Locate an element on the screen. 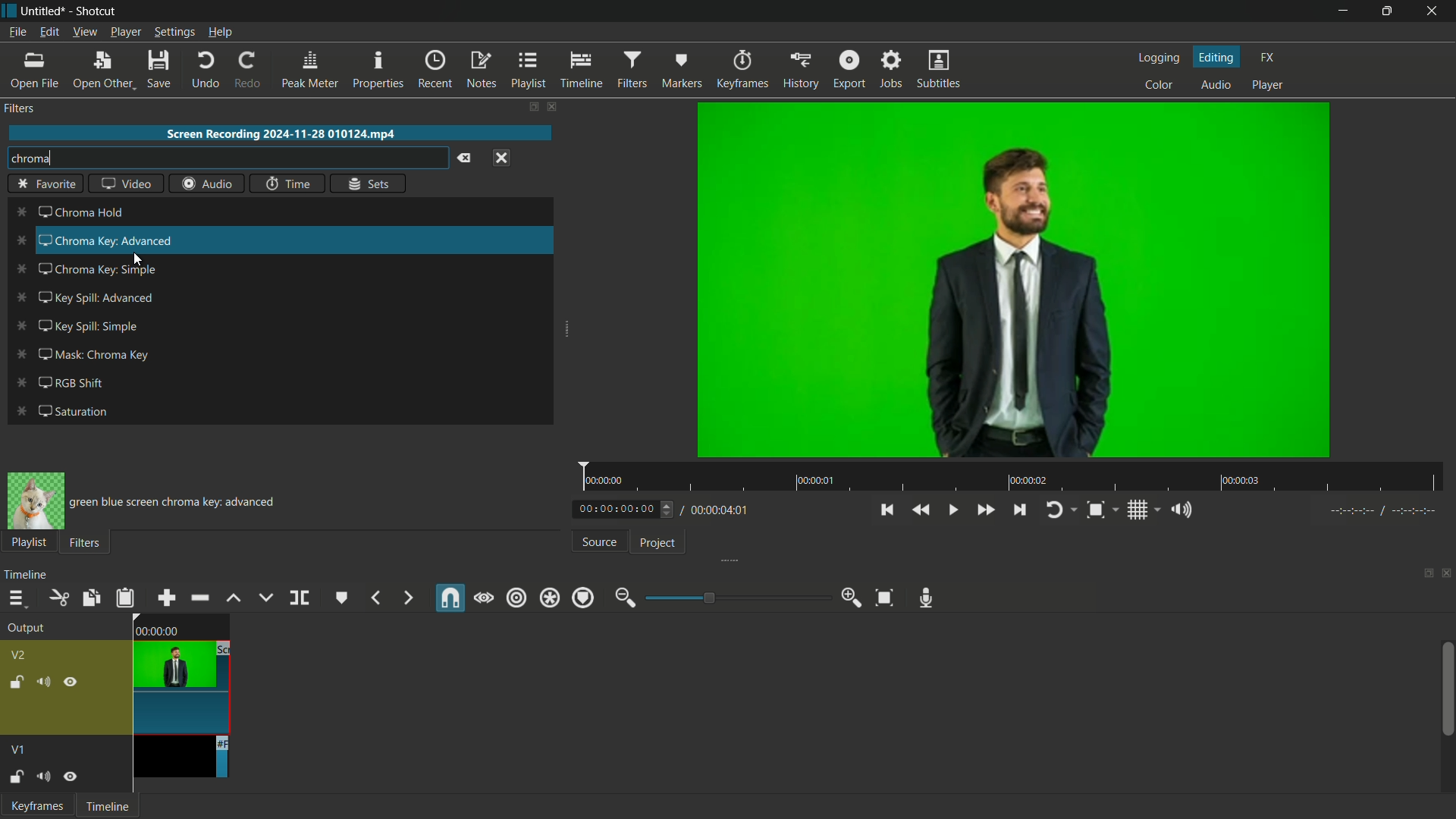  mute is located at coordinates (42, 682).